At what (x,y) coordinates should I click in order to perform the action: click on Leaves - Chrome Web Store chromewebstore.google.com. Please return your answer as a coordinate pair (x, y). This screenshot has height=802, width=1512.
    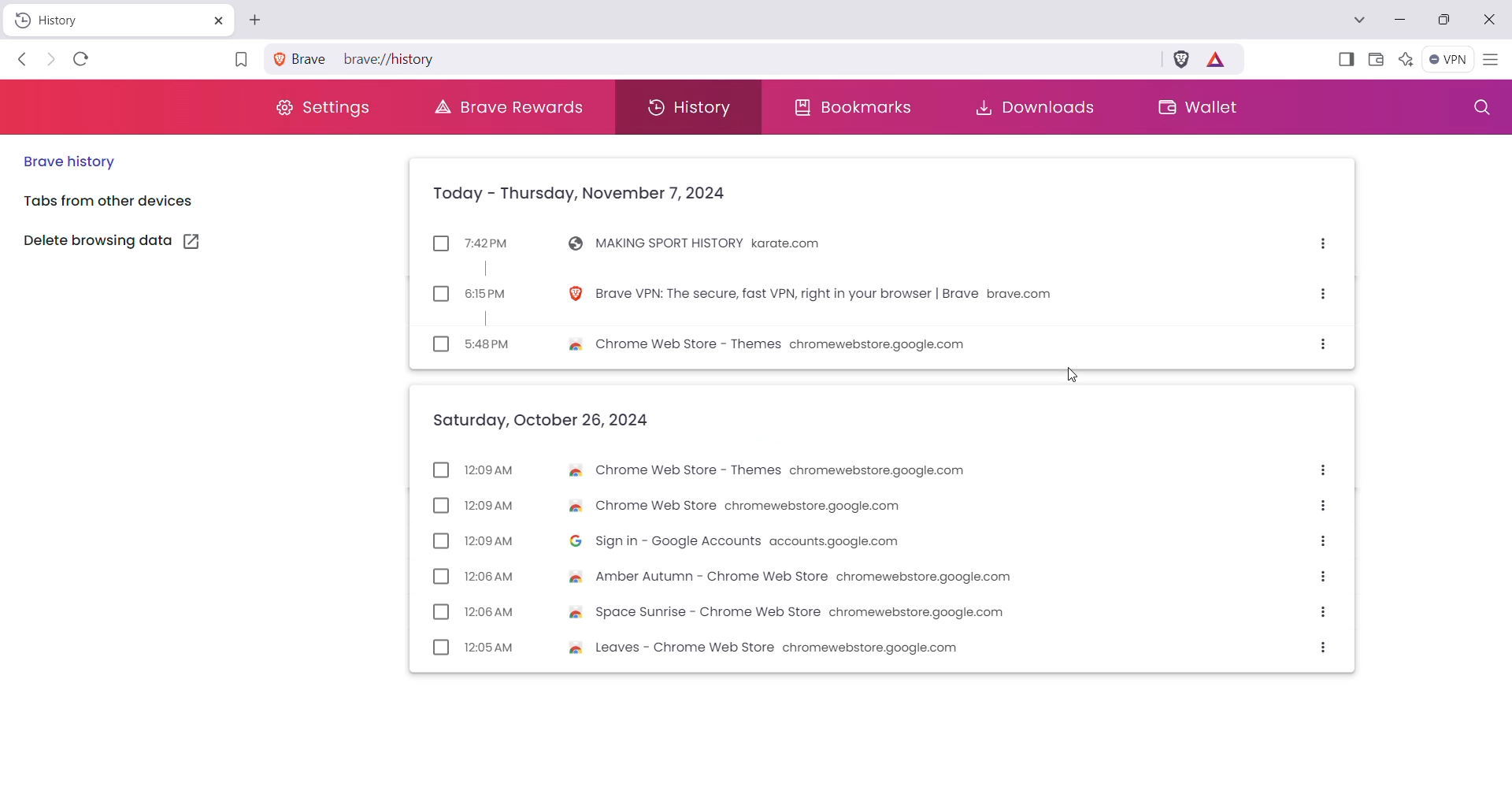
    Looking at the image, I should click on (770, 650).